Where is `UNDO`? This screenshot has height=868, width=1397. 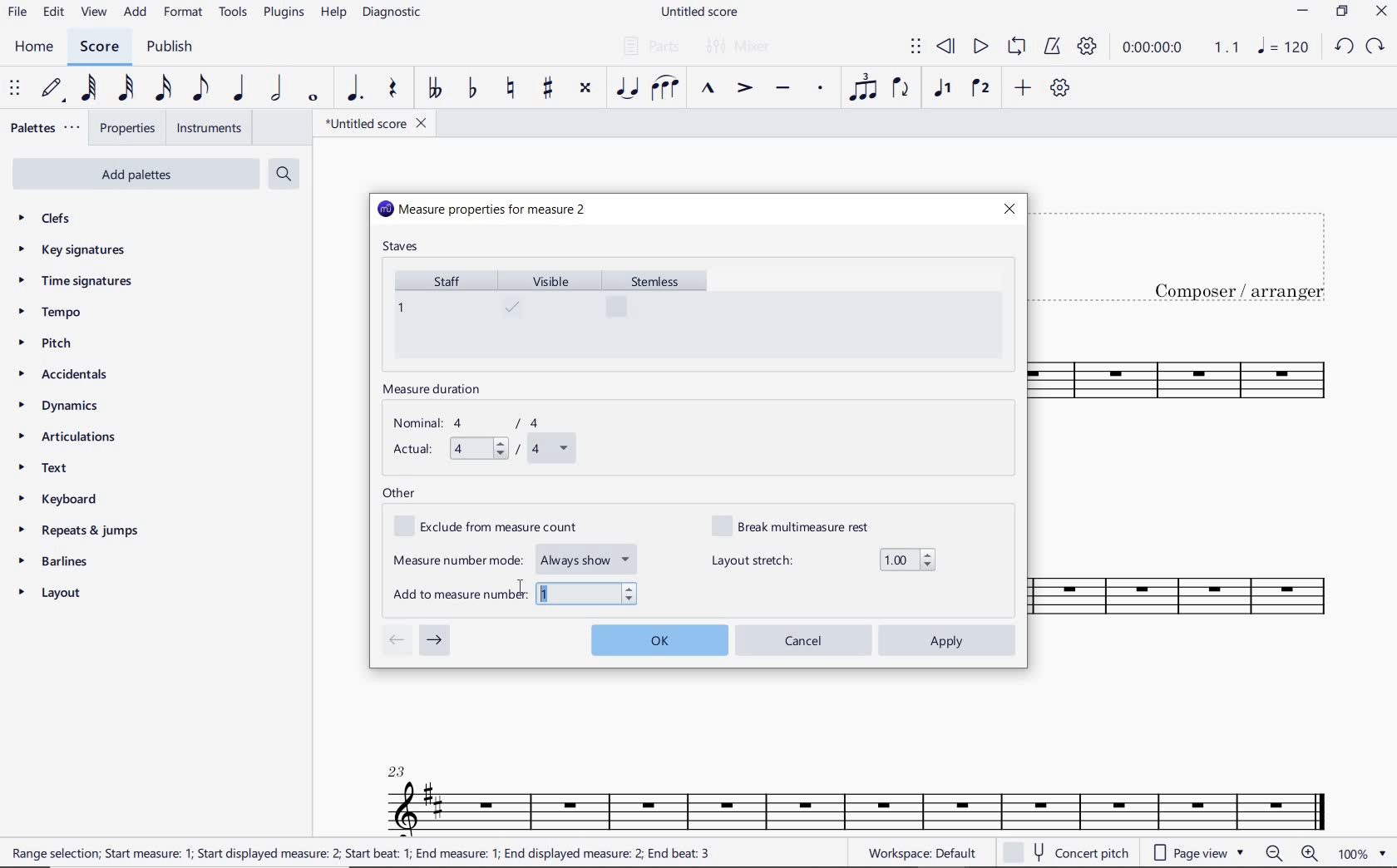 UNDO is located at coordinates (1343, 47).